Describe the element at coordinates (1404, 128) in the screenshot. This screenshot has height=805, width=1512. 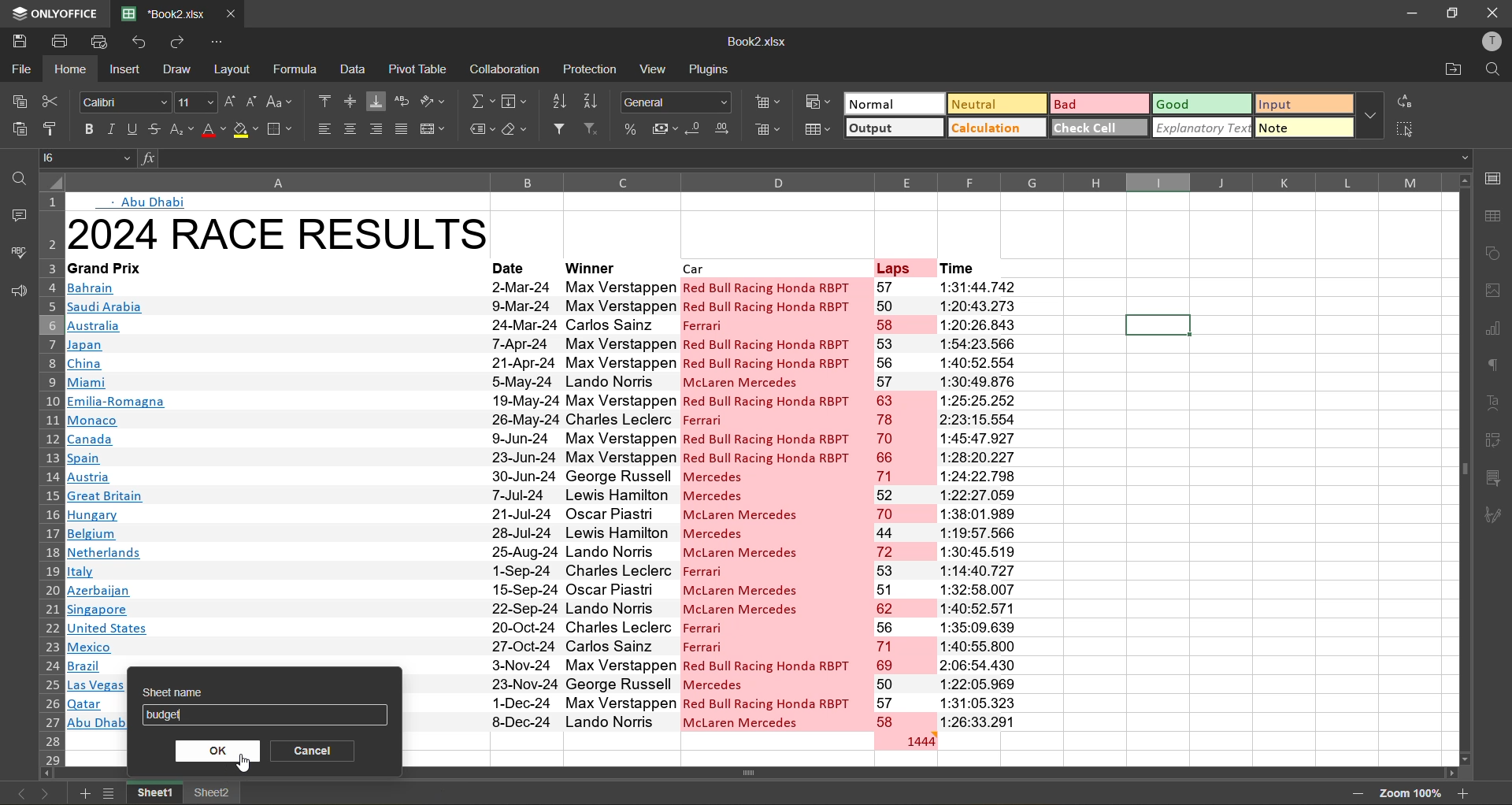
I see `select all` at that location.